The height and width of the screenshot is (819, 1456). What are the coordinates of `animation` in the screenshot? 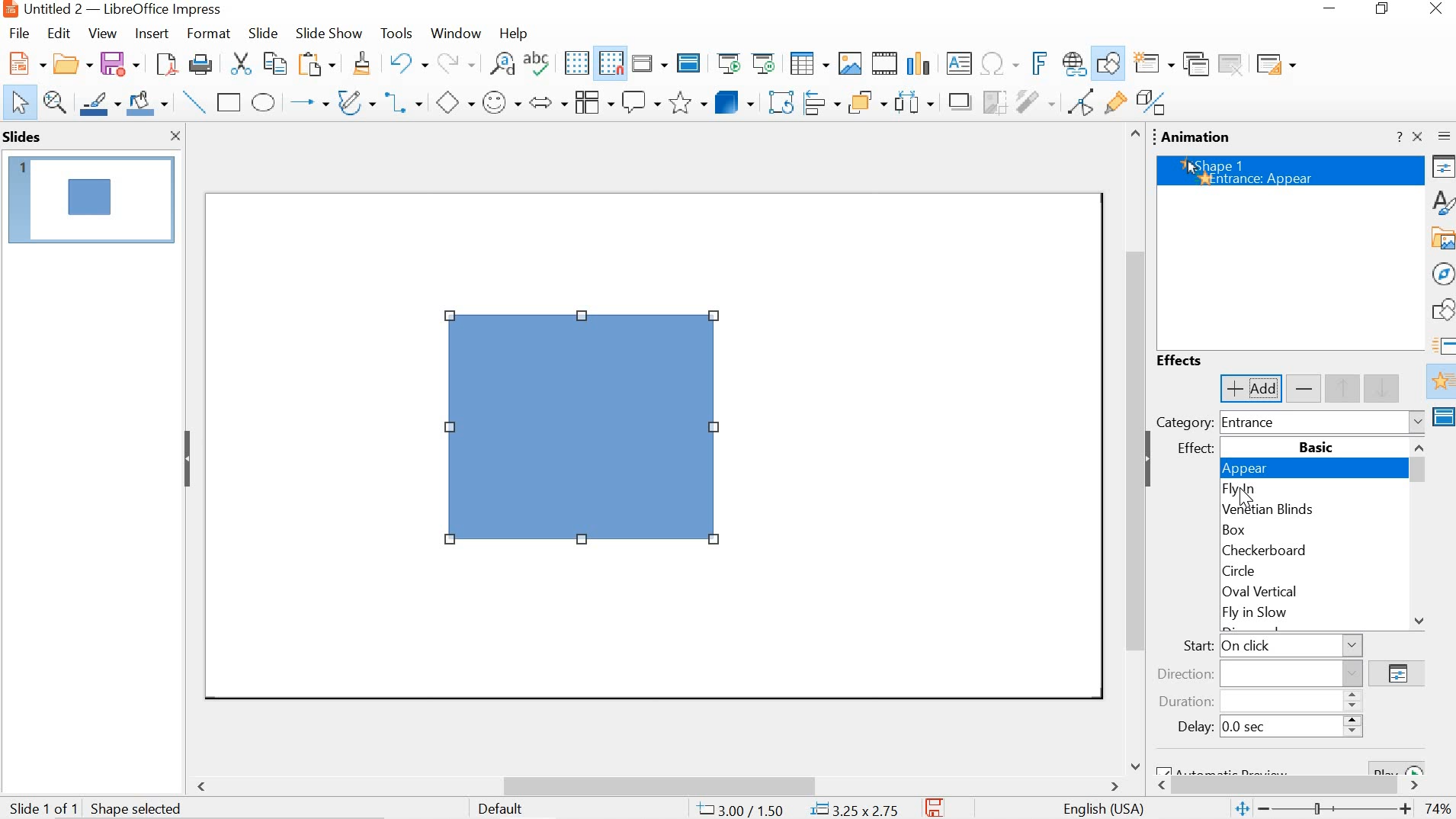 It's located at (1199, 136).